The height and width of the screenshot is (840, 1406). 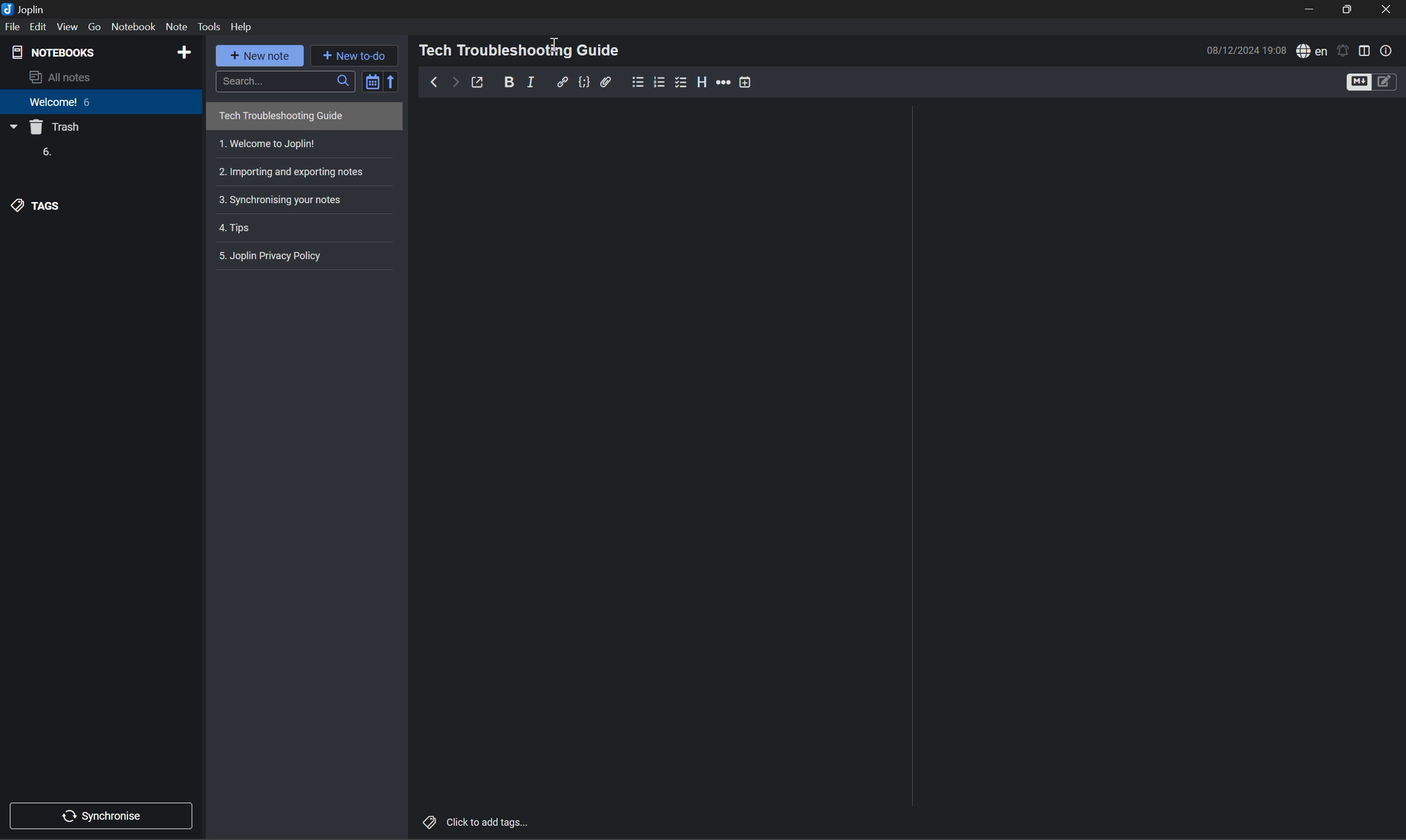 What do you see at coordinates (1369, 82) in the screenshot?
I see `Toggle editors` at bounding box center [1369, 82].